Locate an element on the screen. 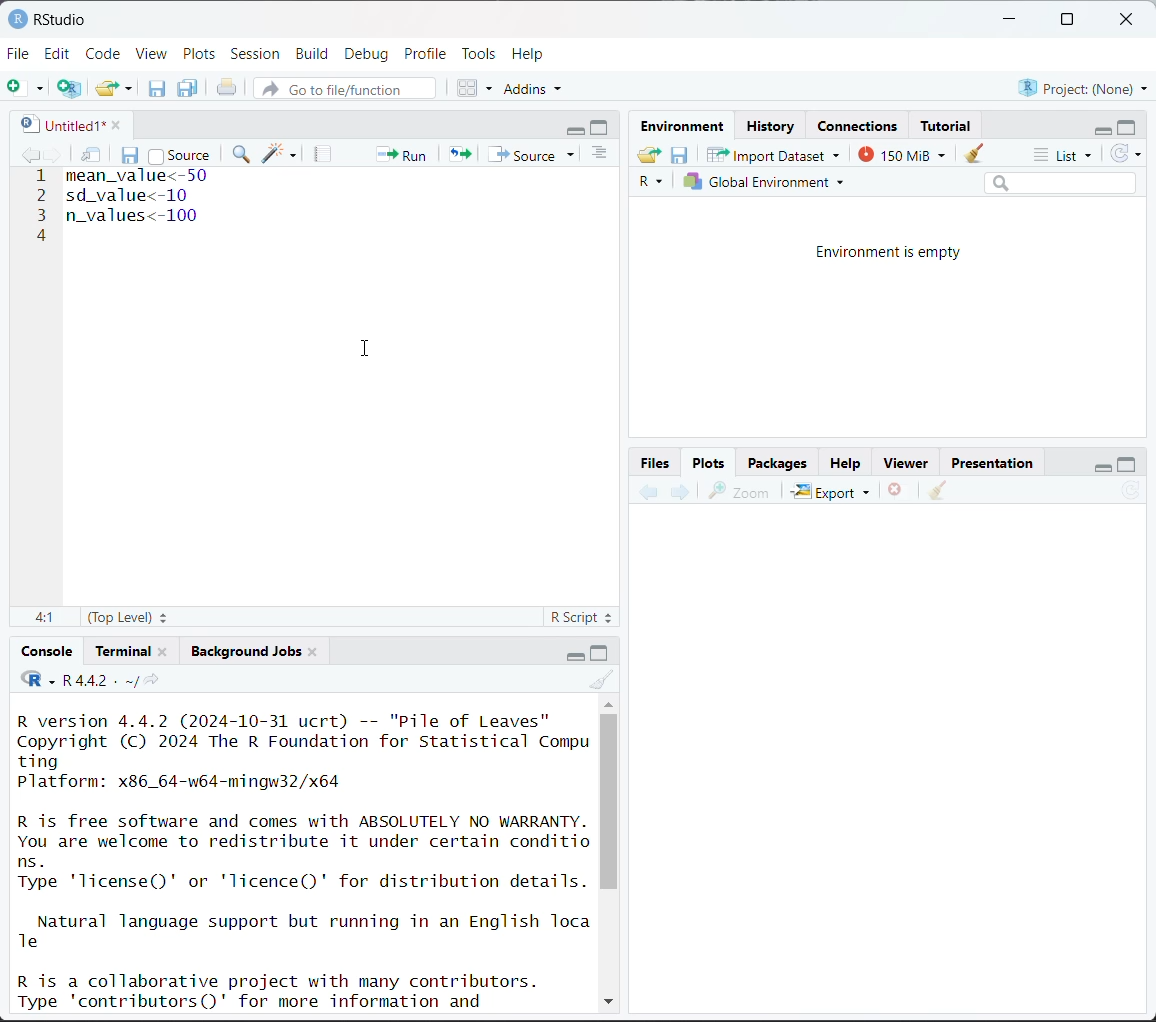 This screenshot has width=1156, height=1022. Connections is located at coordinates (860, 126).